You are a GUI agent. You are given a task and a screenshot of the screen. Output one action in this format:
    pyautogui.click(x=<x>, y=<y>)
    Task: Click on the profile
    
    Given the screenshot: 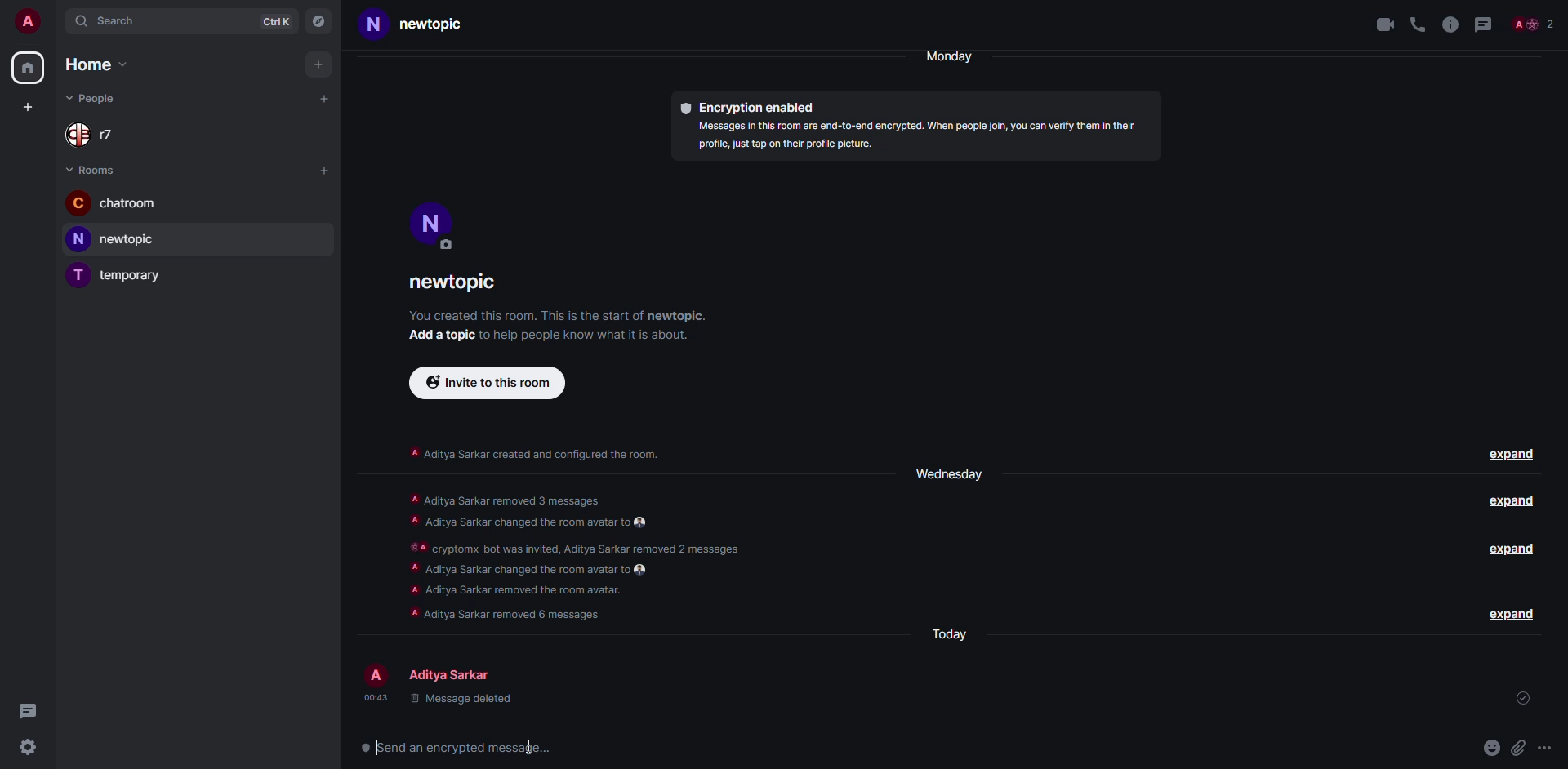 What is the action you would take?
    pyautogui.click(x=28, y=21)
    